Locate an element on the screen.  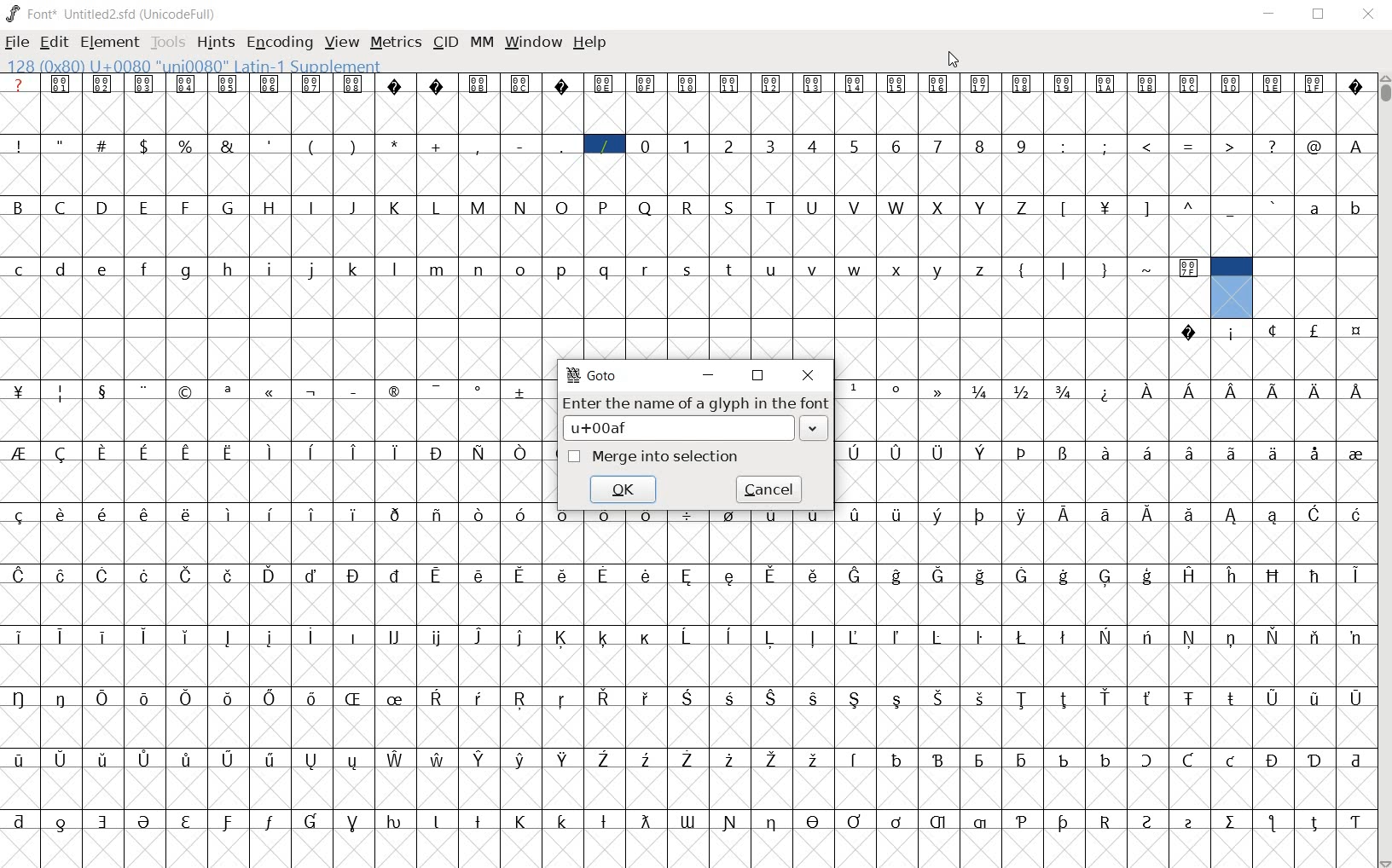
Symbol is located at coordinates (979, 823).